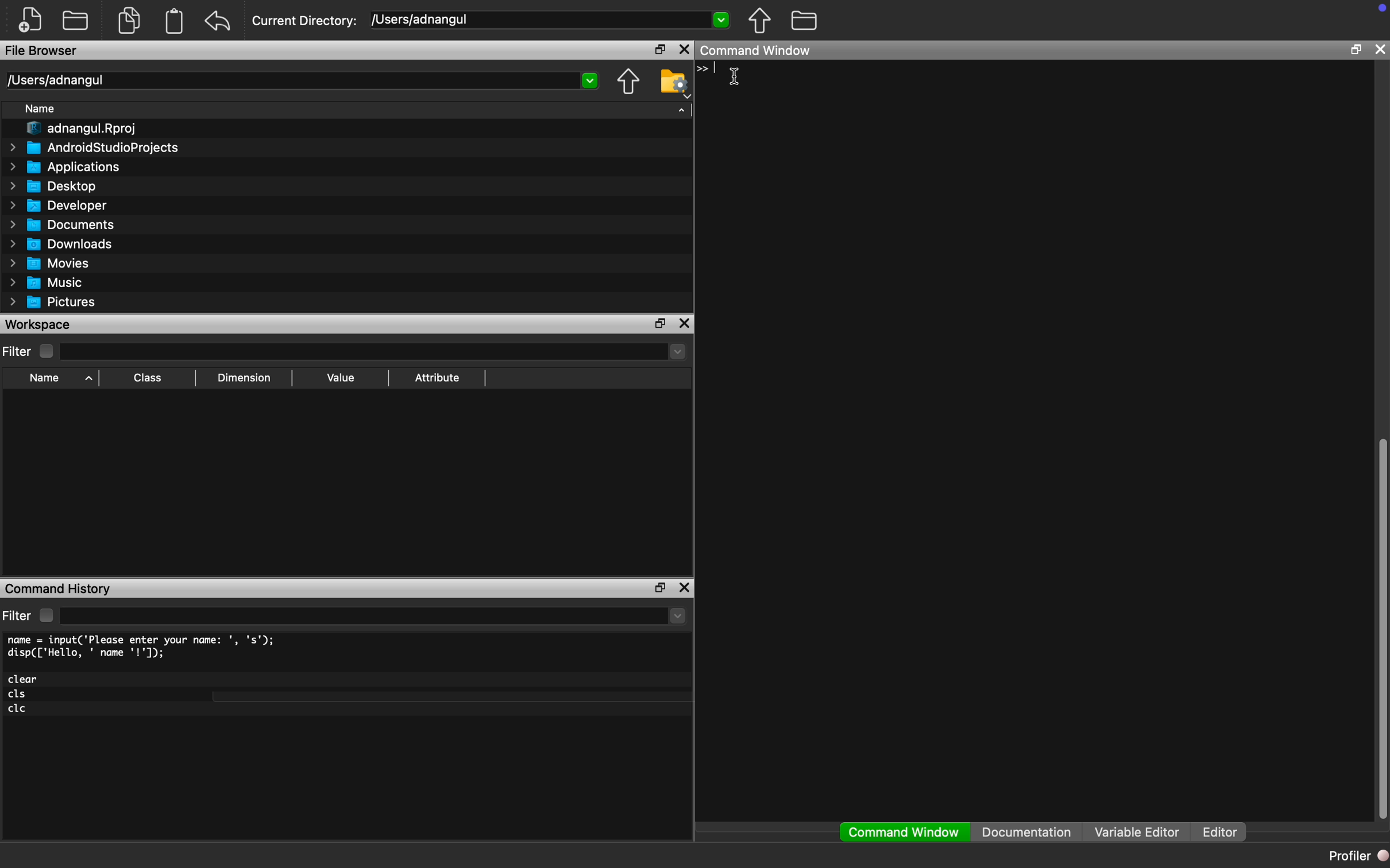 The height and width of the screenshot is (868, 1390). Describe the element at coordinates (30, 615) in the screenshot. I see `Filter` at that location.